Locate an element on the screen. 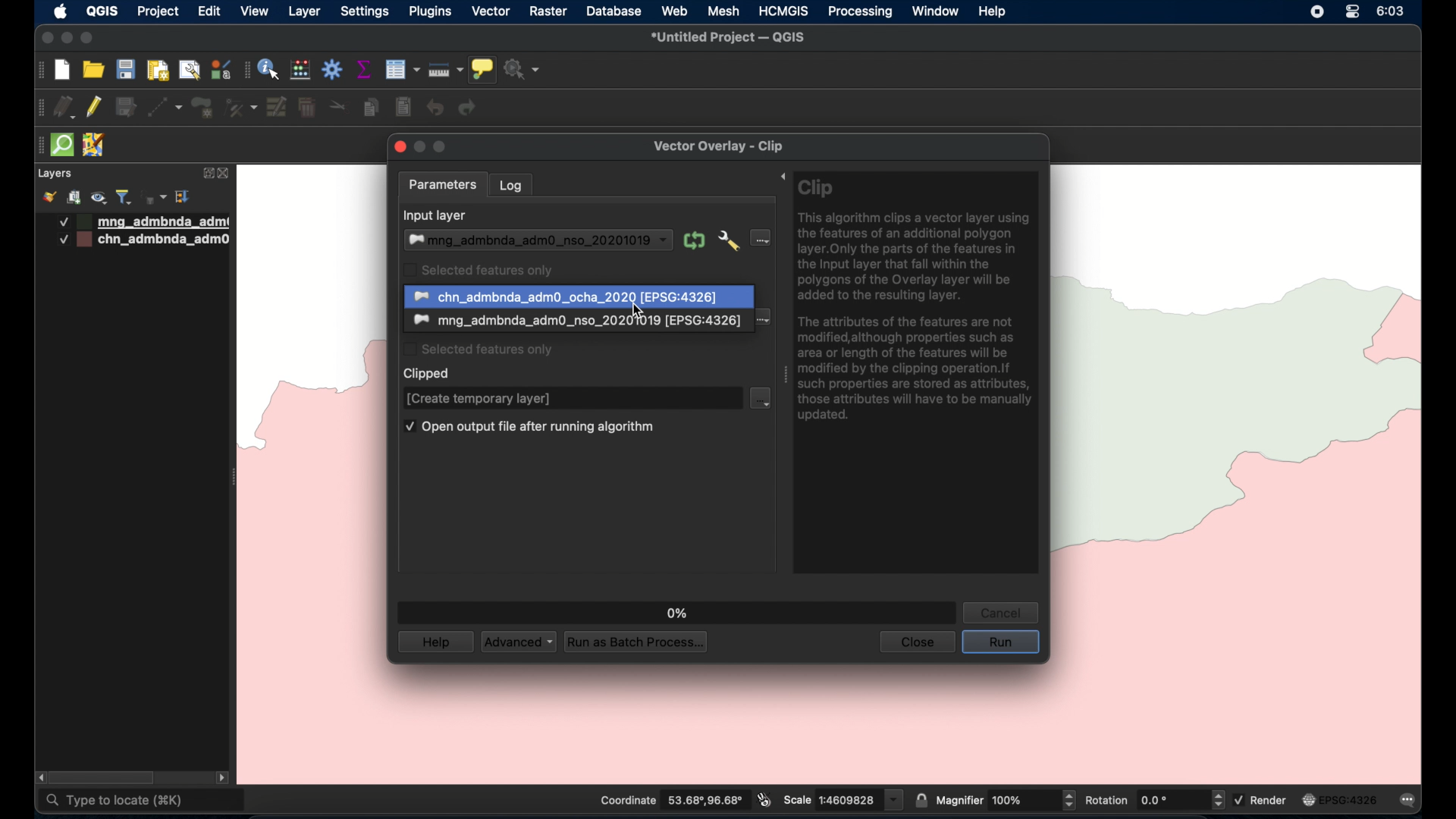 The width and height of the screenshot is (1456, 819). plugins is located at coordinates (429, 11).